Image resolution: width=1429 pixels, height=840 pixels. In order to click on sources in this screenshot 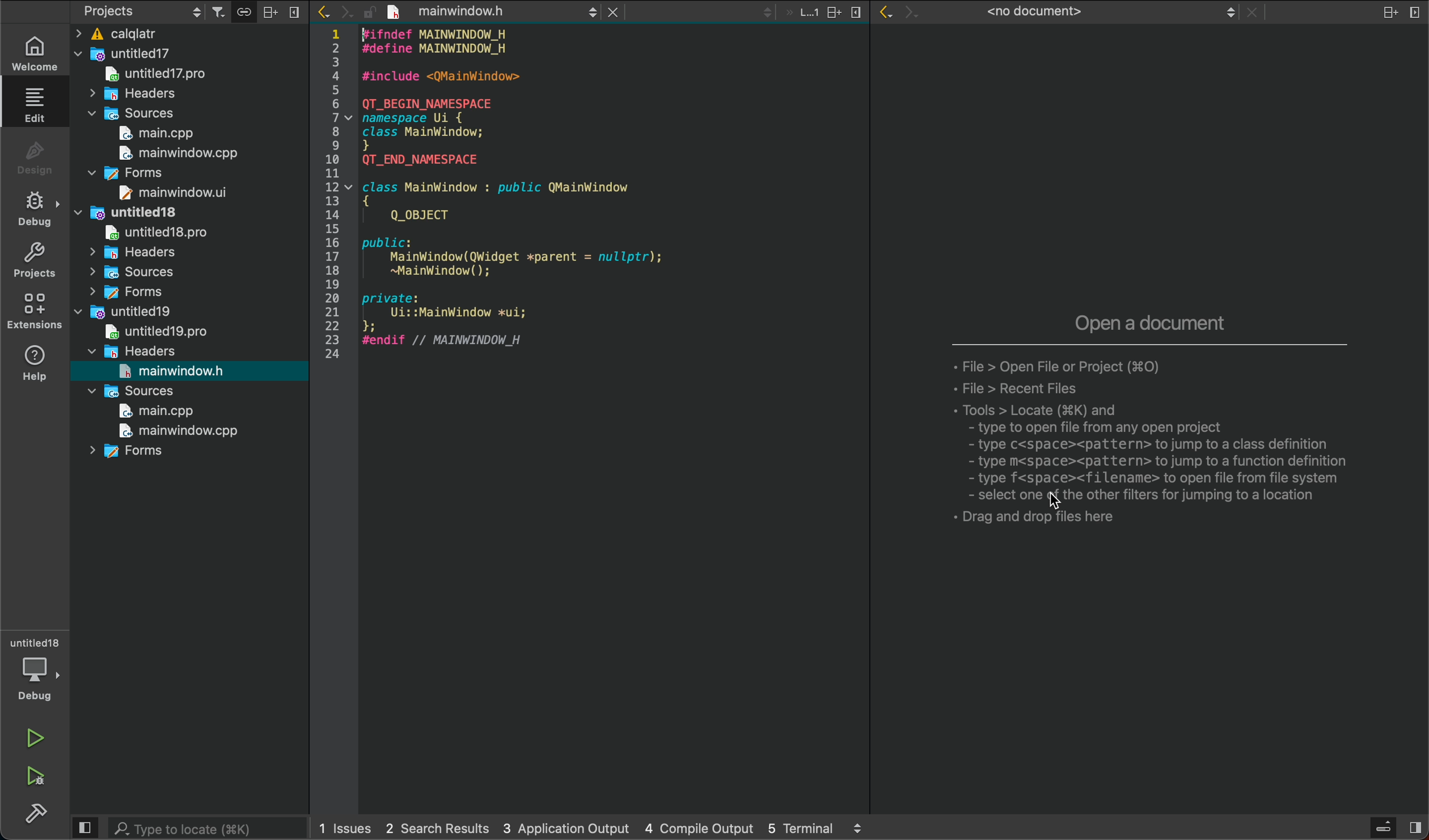, I will do `click(135, 390)`.